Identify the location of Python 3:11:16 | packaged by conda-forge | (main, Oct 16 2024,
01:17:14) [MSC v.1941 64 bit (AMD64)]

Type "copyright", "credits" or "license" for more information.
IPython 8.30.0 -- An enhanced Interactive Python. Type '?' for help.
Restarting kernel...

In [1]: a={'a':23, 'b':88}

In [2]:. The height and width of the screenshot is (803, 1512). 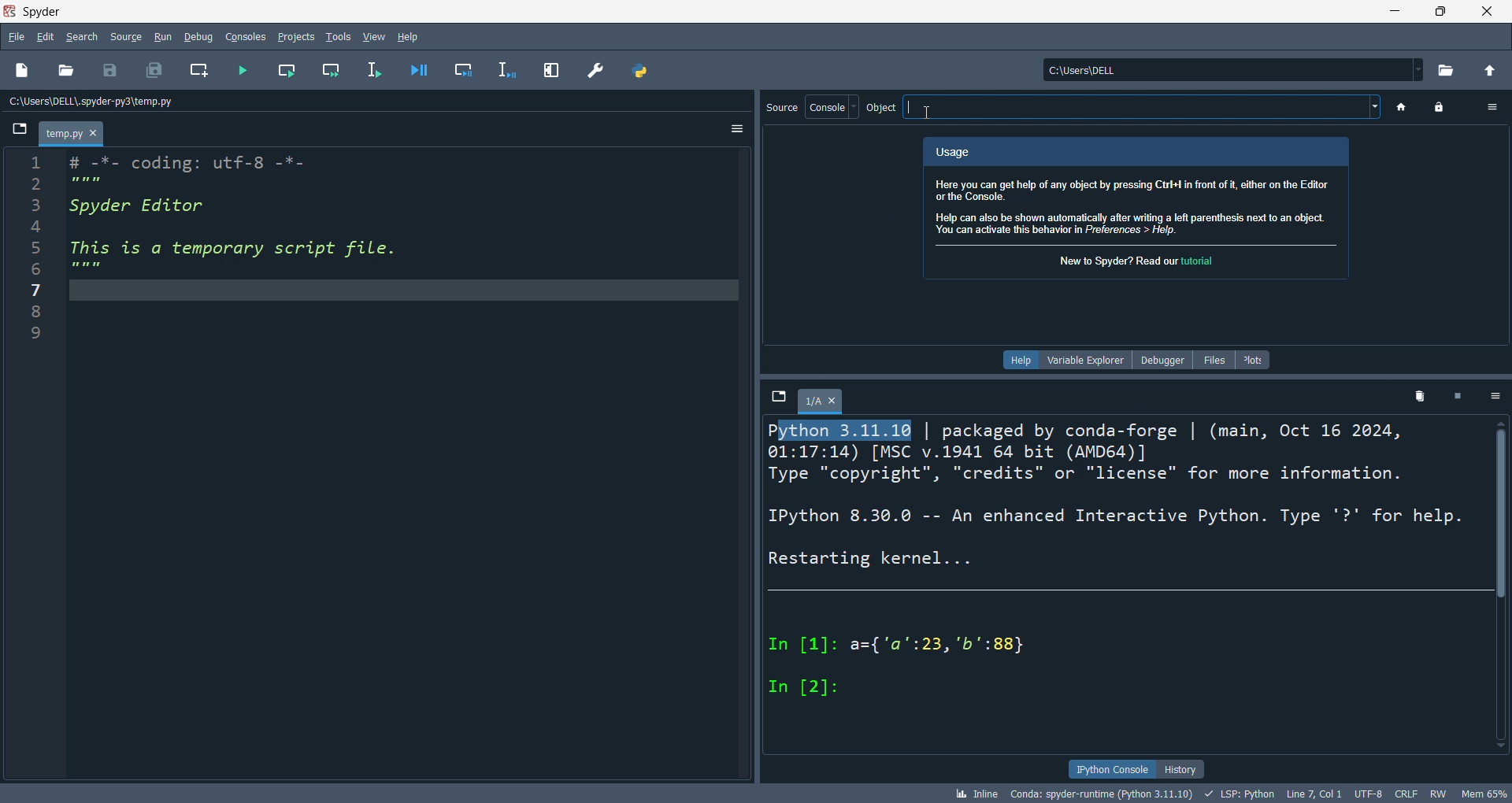
(1118, 570).